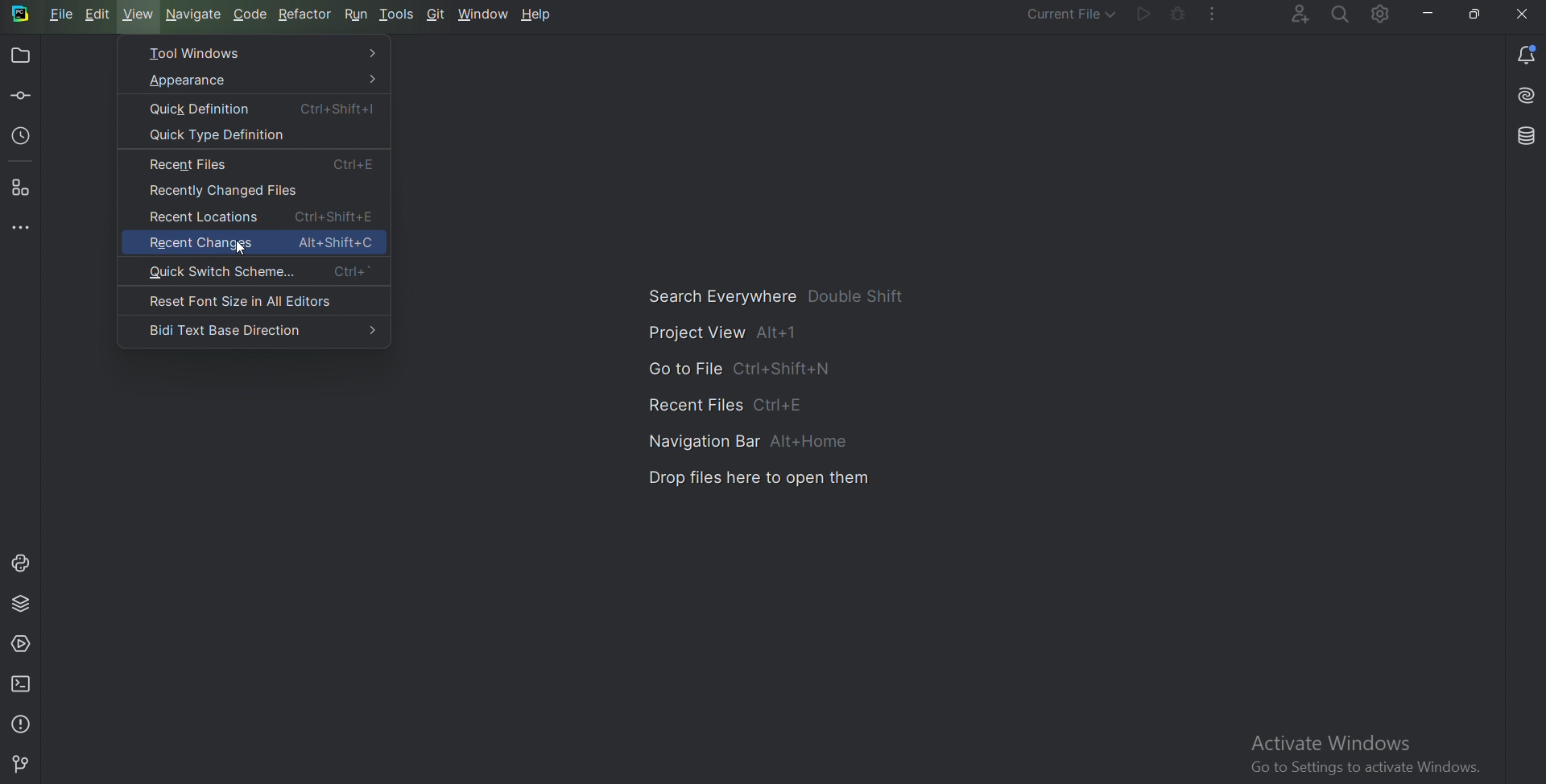 The image size is (1546, 784). What do you see at coordinates (535, 14) in the screenshot?
I see `Help` at bounding box center [535, 14].